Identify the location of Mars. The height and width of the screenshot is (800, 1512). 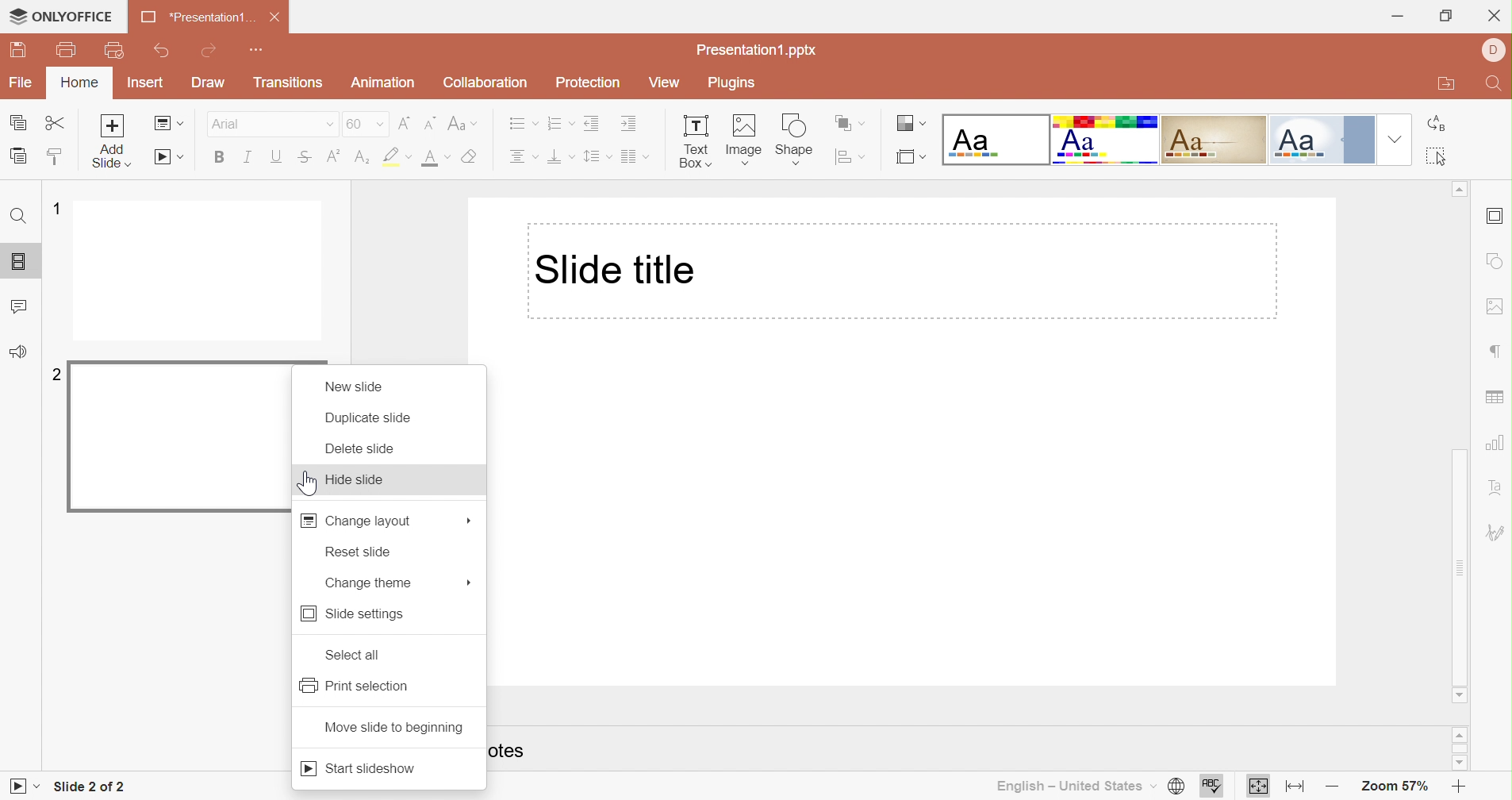
(474, 583).